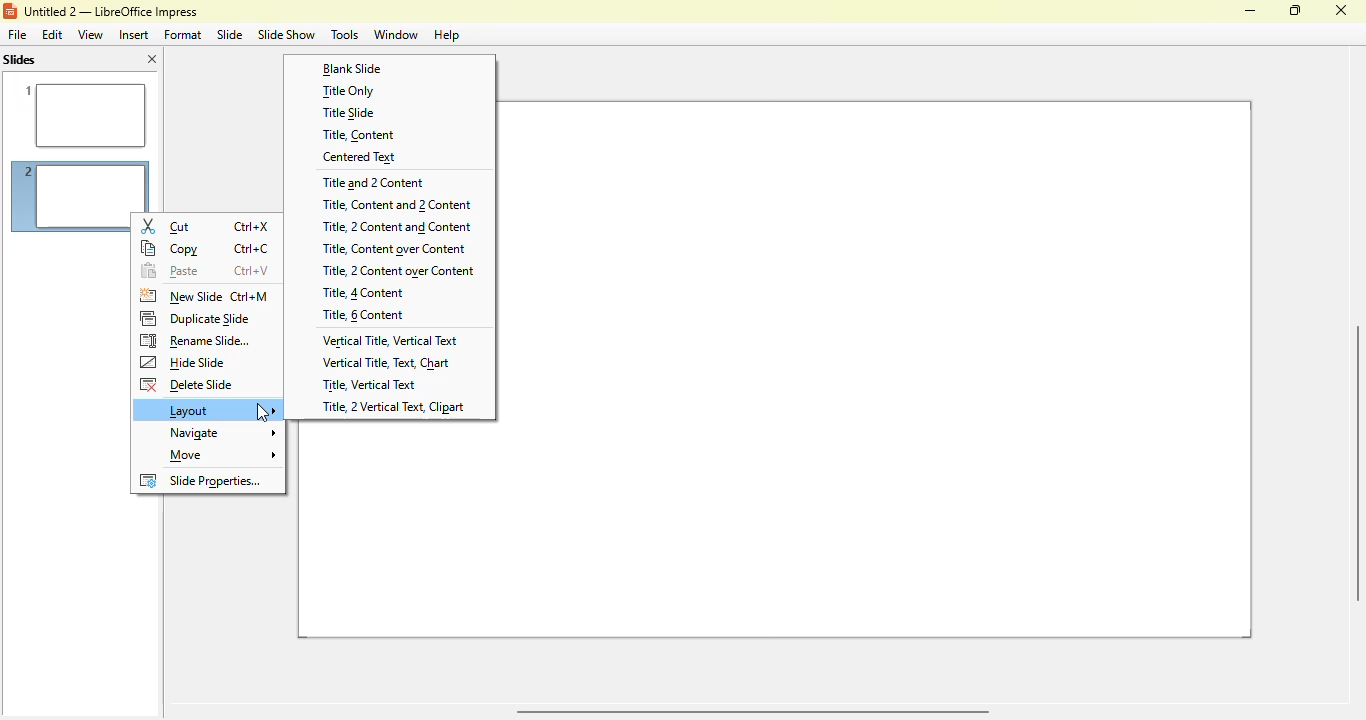 The height and width of the screenshot is (720, 1366). I want to click on title, 6 content, so click(363, 315).